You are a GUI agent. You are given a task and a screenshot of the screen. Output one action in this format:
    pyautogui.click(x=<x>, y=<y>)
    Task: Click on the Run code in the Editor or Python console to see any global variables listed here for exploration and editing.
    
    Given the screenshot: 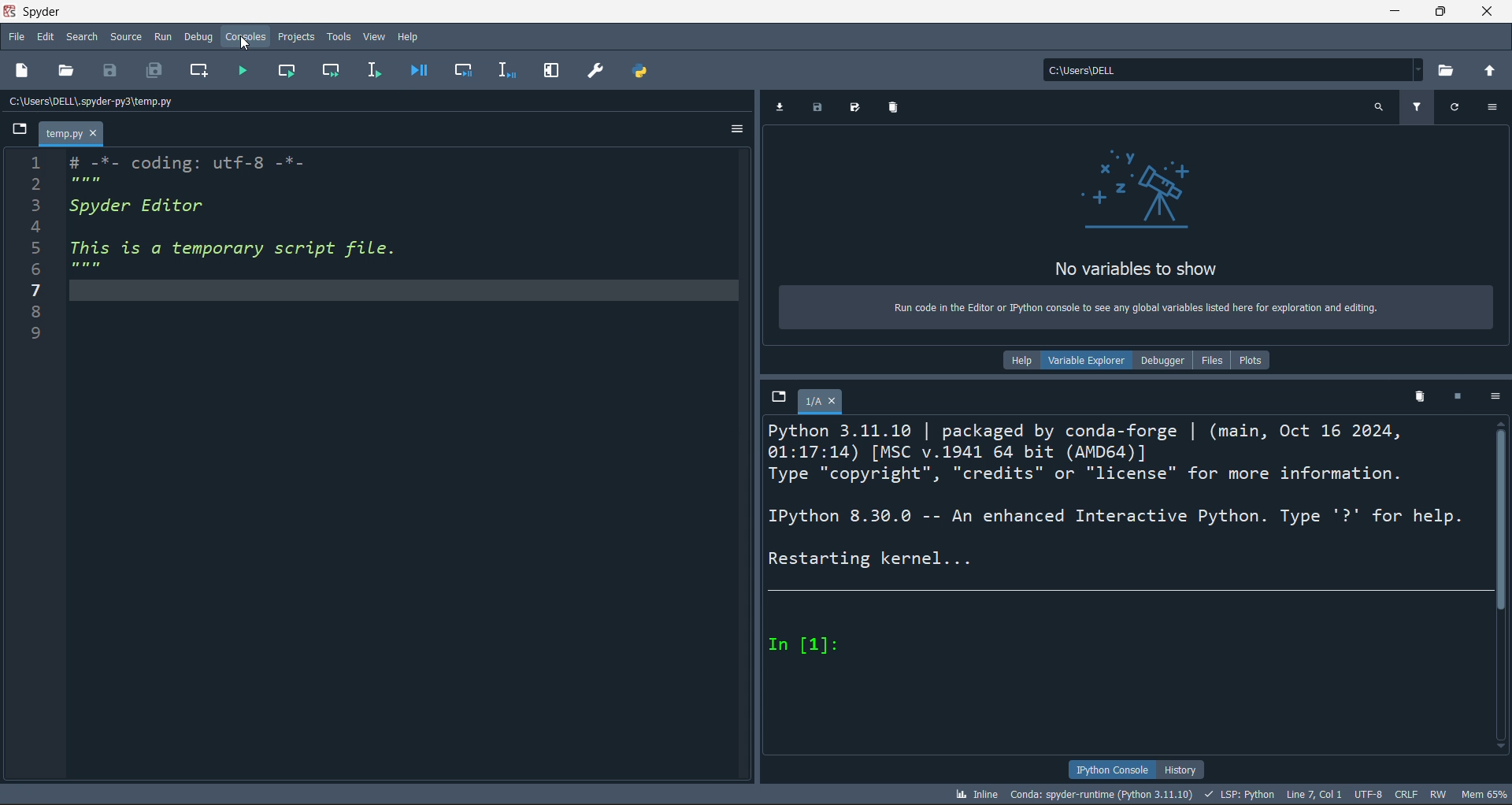 What is the action you would take?
    pyautogui.click(x=1135, y=311)
    